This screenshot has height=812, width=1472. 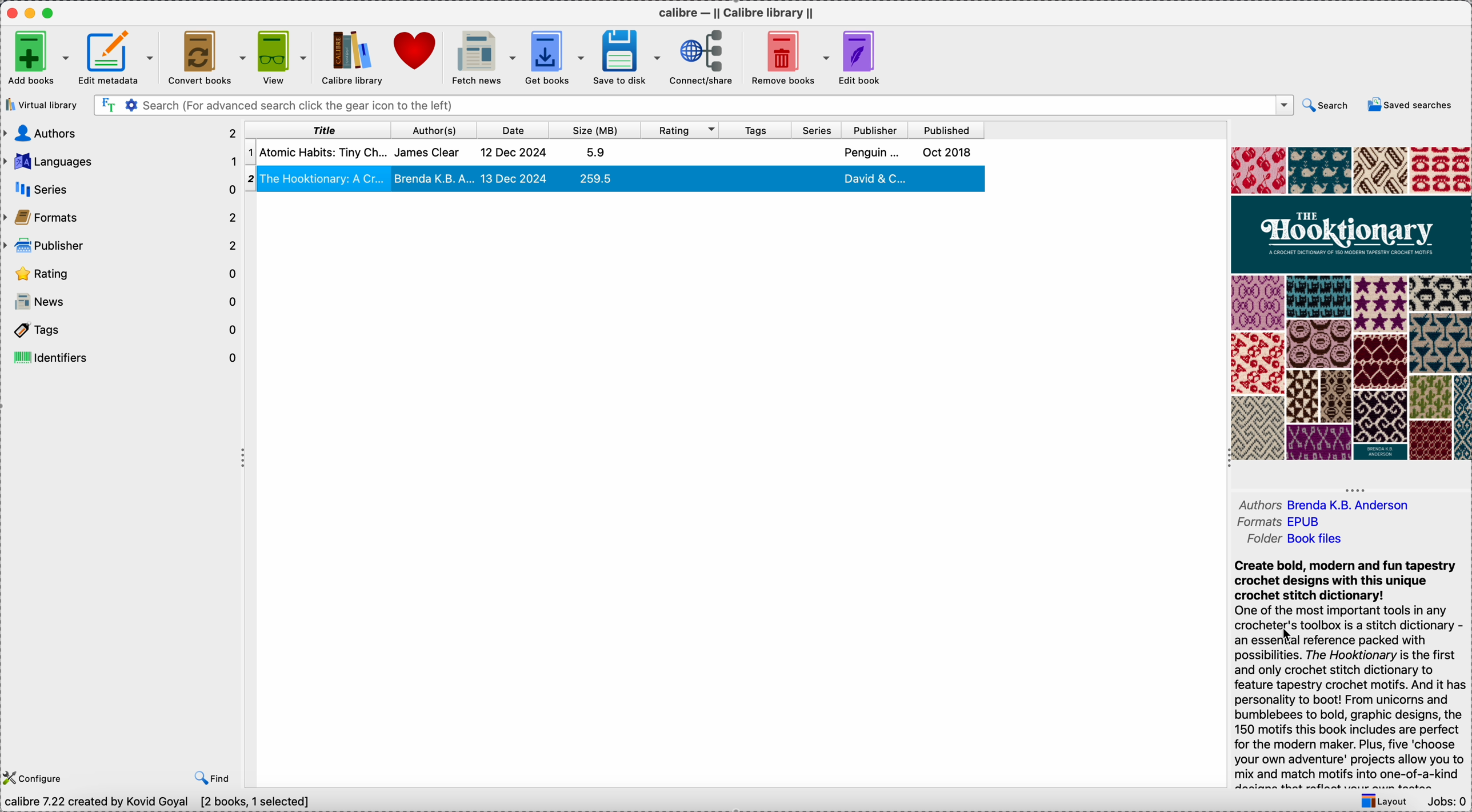 I want to click on jobs: 0, so click(x=1446, y=800).